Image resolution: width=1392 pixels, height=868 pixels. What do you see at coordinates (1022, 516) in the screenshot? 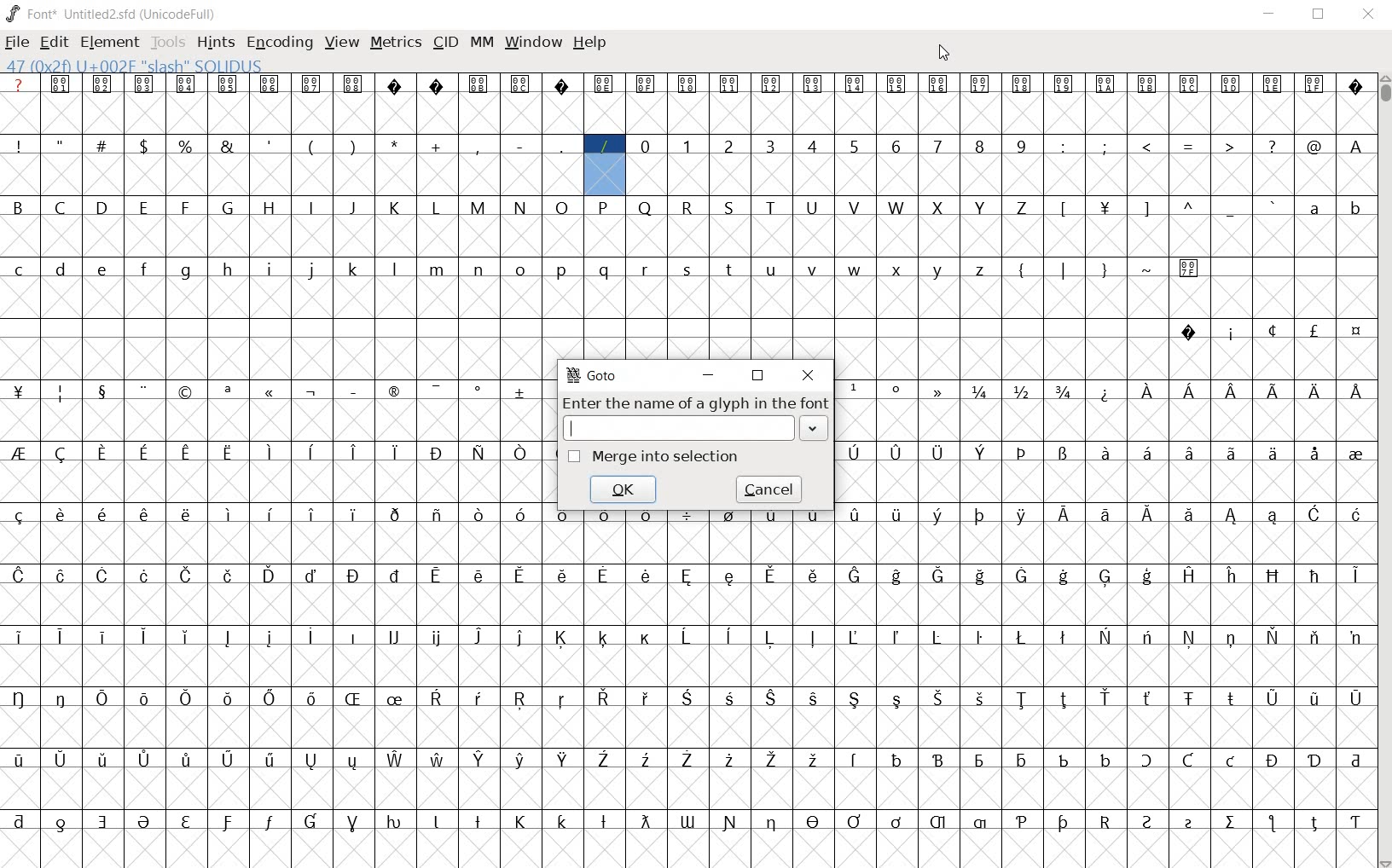
I see `glyph` at bounding box center [1022, 516].